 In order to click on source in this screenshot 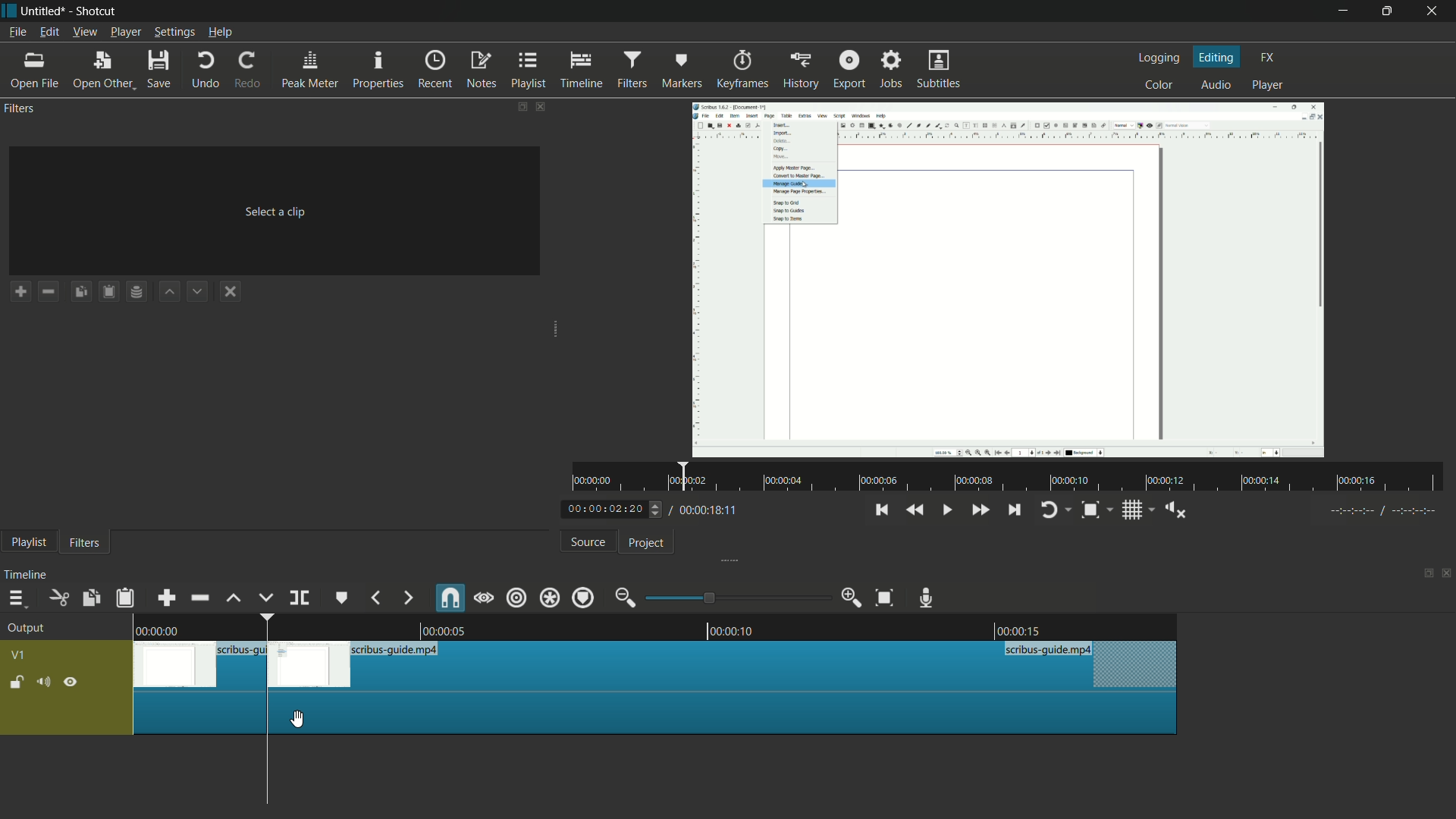, I will do `click(588, 542)`.